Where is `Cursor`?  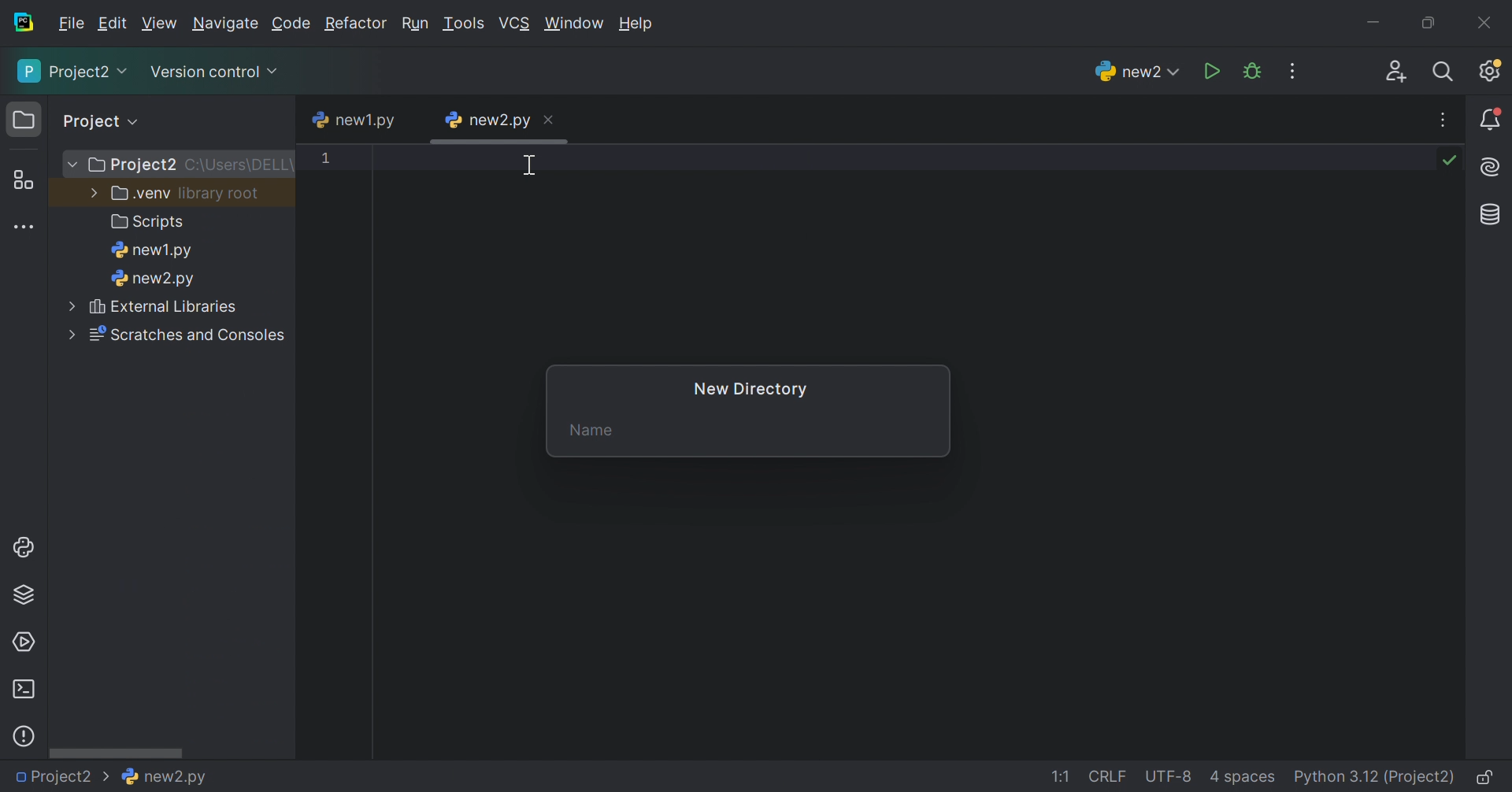 Cursor is located at coordinates (533, 166).